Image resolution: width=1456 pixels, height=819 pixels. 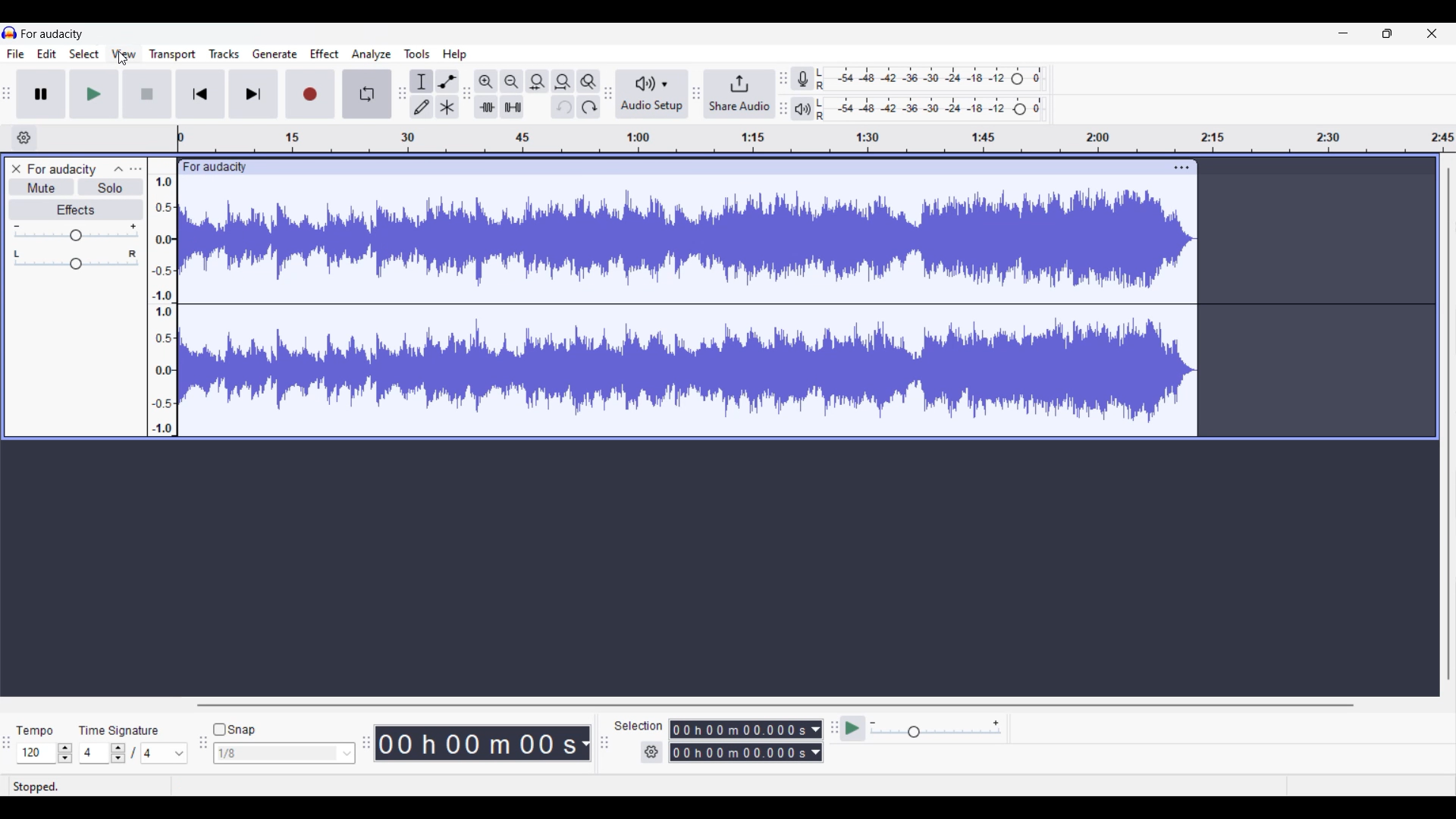 What do you see at coordinates (689, 308) in the screenshot?
I see `track waveform` at bounding box center [689, 308].